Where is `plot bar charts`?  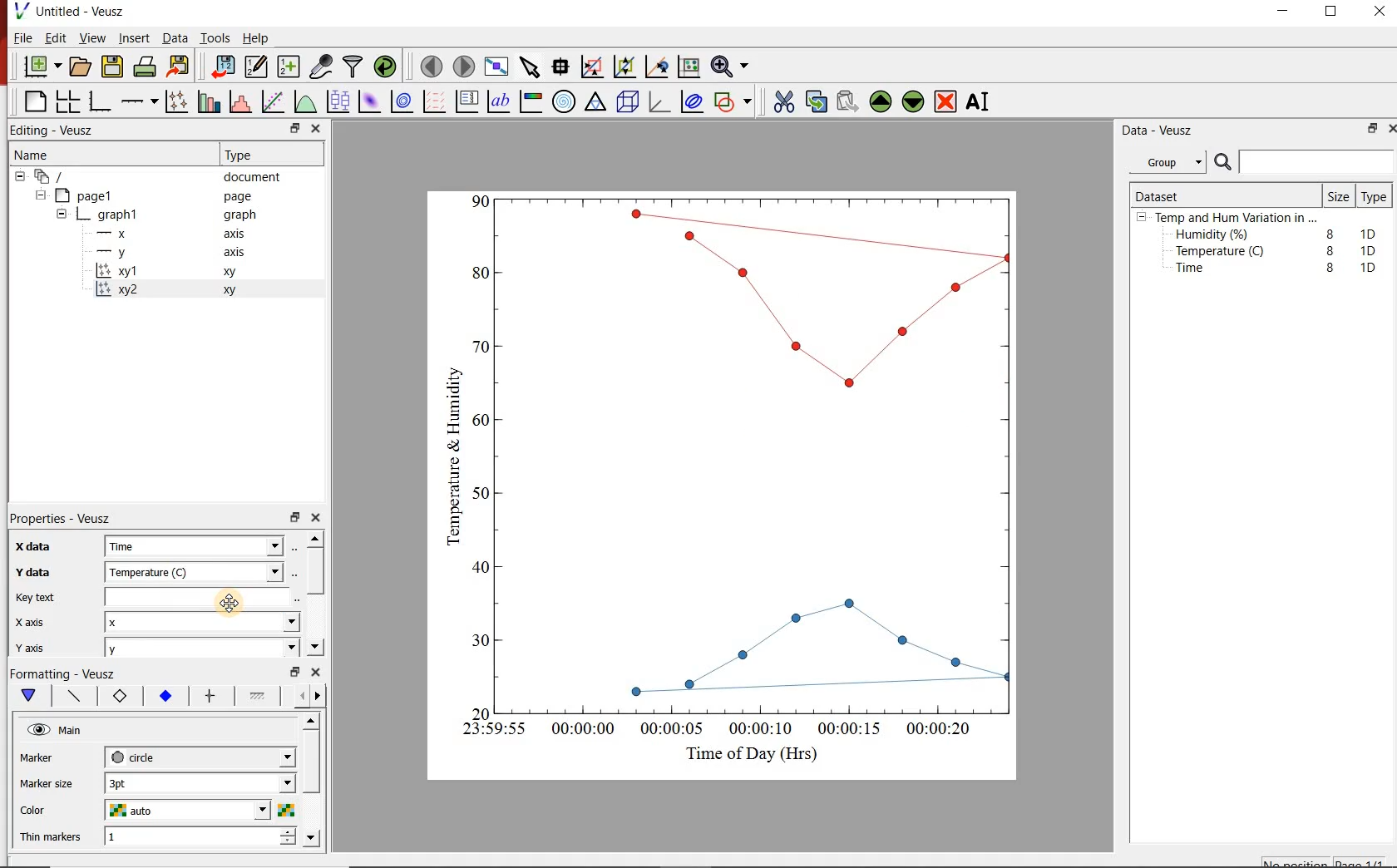 plot bar charts is located at coordinates (210, 99).